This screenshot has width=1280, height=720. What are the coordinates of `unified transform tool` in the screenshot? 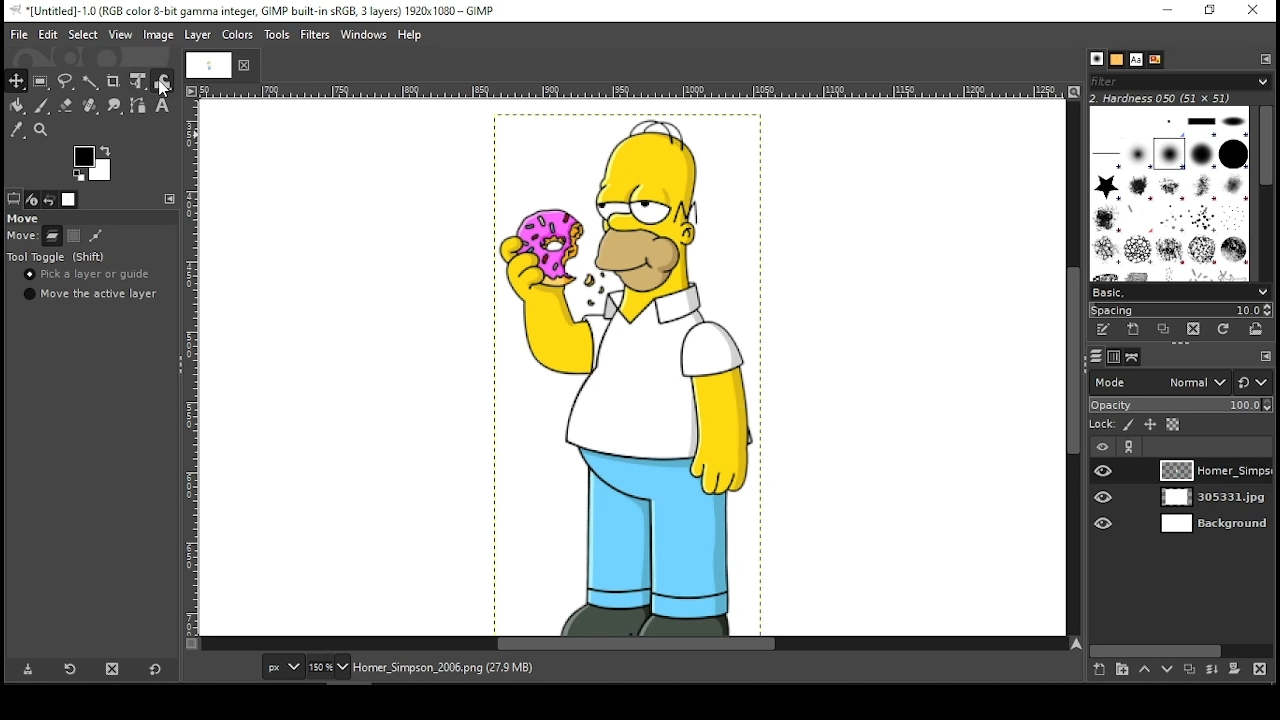 It's located at (140, 82).